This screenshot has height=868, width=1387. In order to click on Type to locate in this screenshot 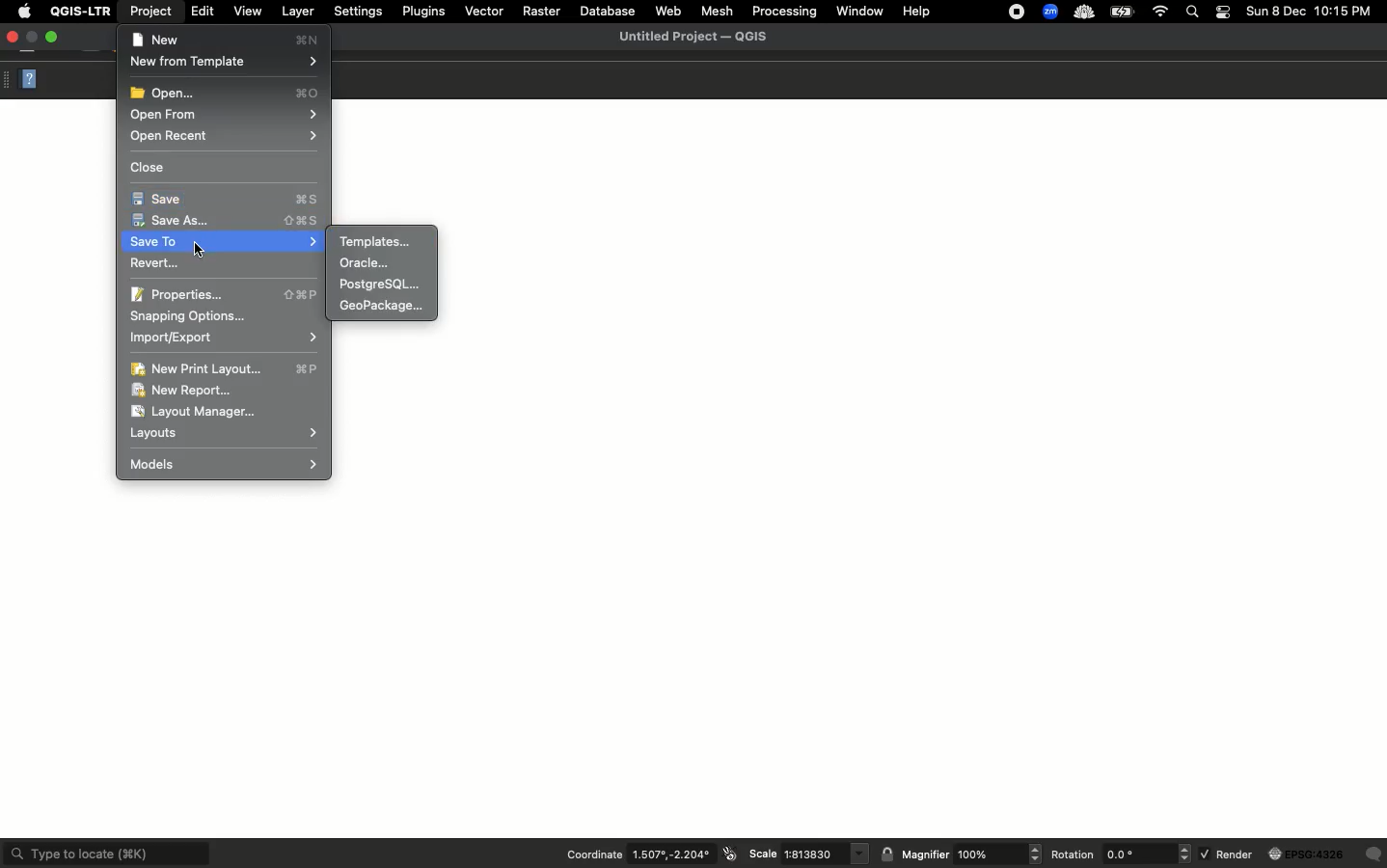, I will do `click(106, 852)`.